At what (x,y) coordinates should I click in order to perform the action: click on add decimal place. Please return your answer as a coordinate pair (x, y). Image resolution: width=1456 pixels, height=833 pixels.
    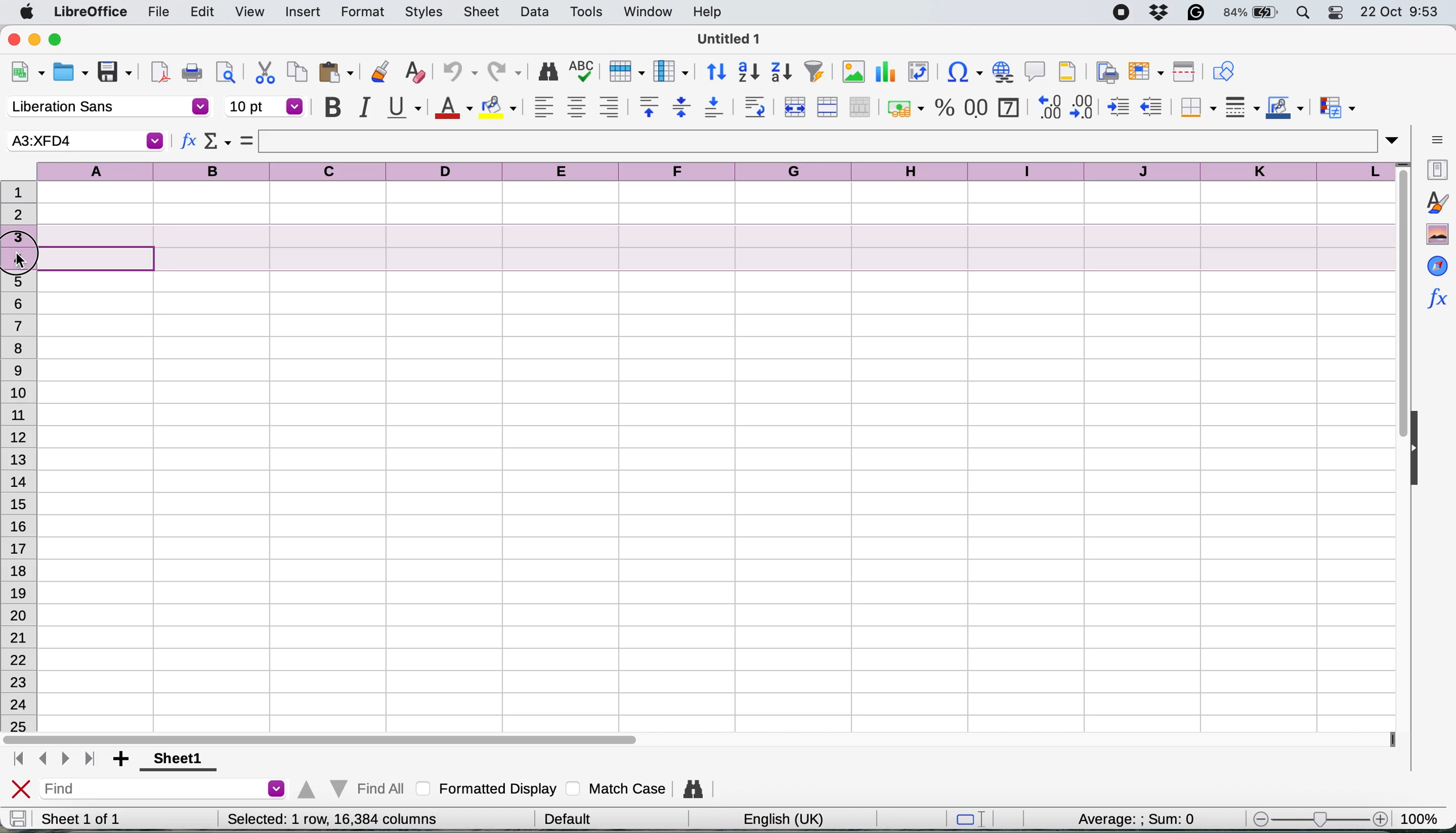
    Looking at the image, I should click on (1047, 106).